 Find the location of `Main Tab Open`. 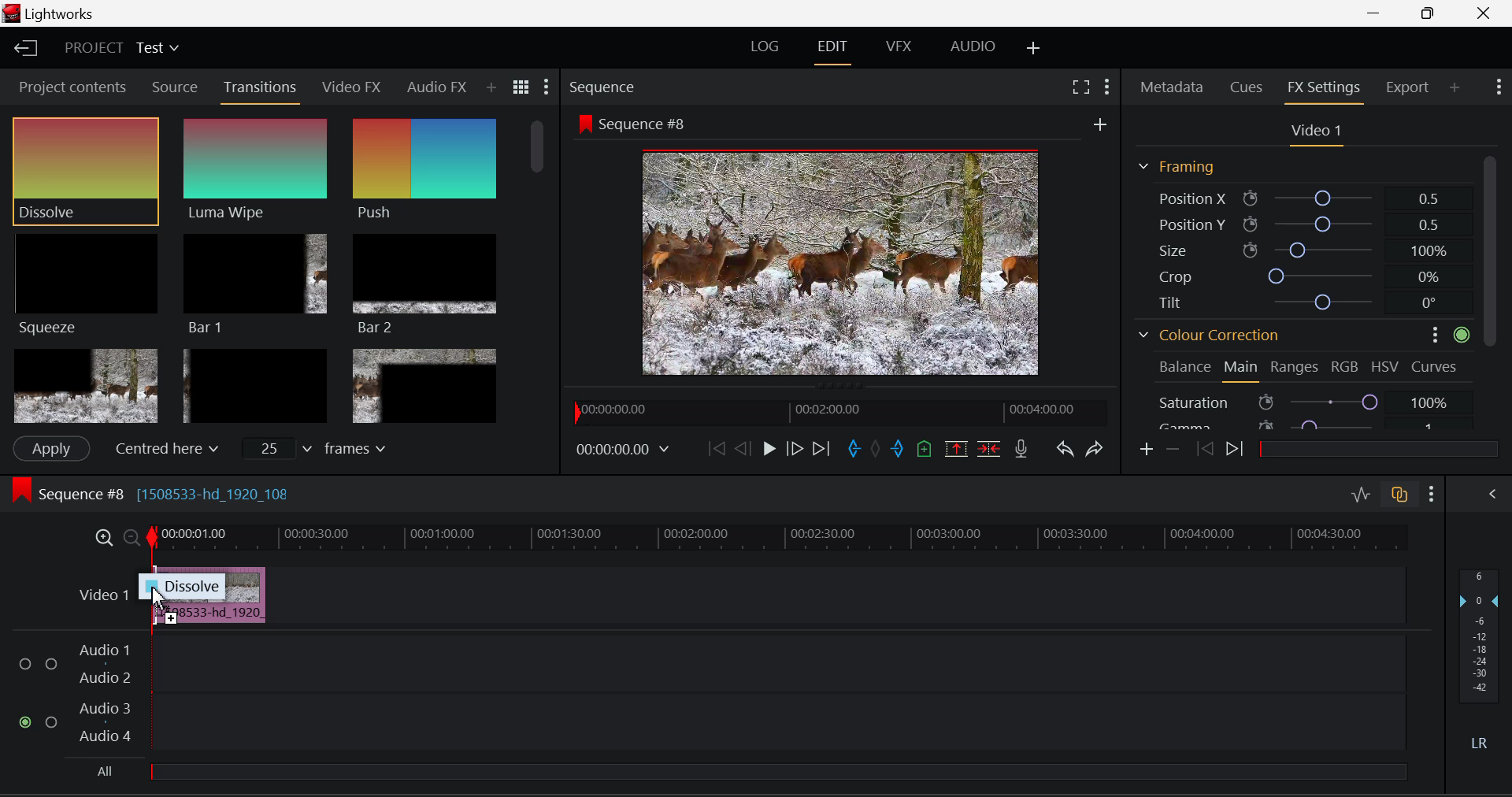

Main Tab Open is located at coordinates (1242, 370).